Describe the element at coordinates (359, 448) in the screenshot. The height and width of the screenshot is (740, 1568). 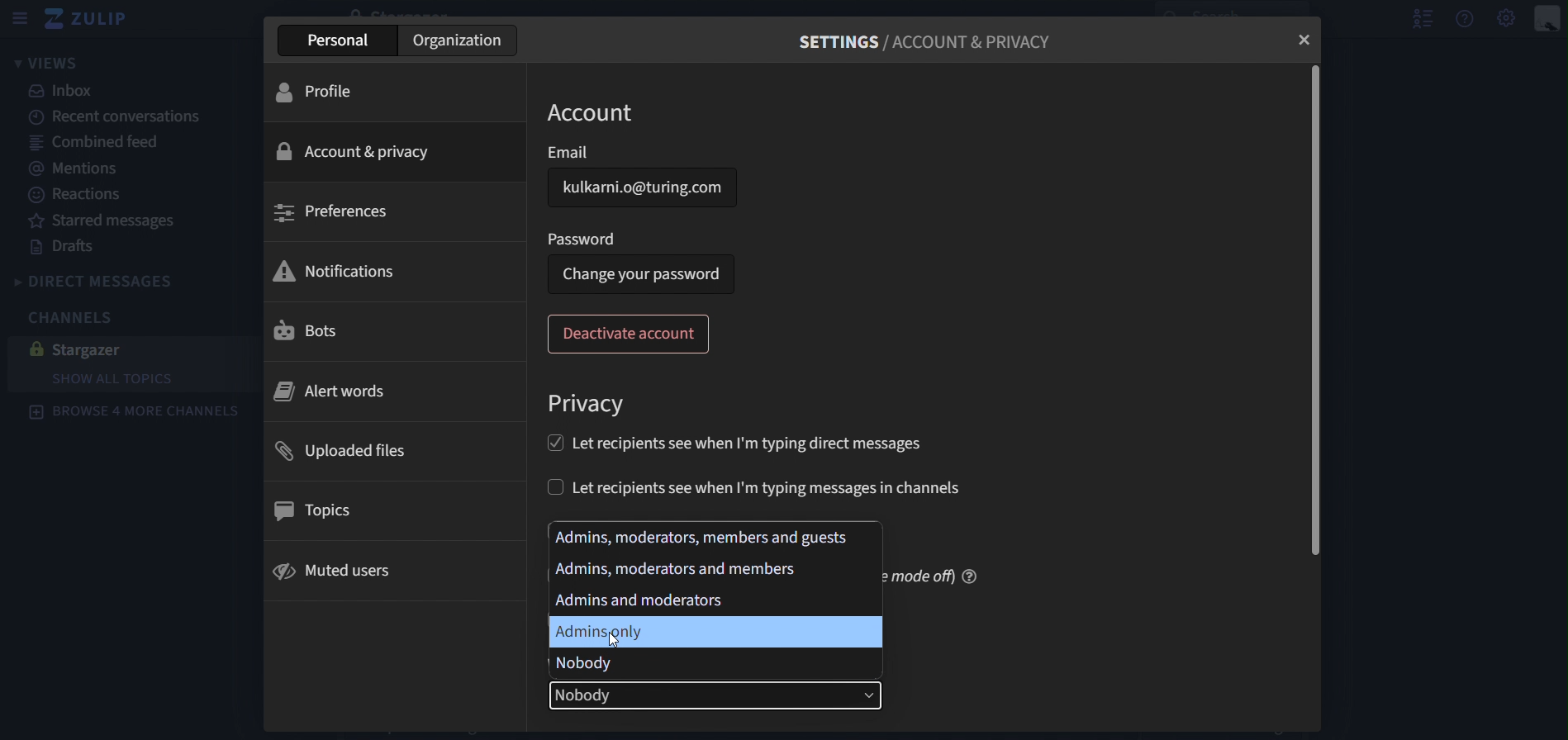
I see `uploaded files` at that location.